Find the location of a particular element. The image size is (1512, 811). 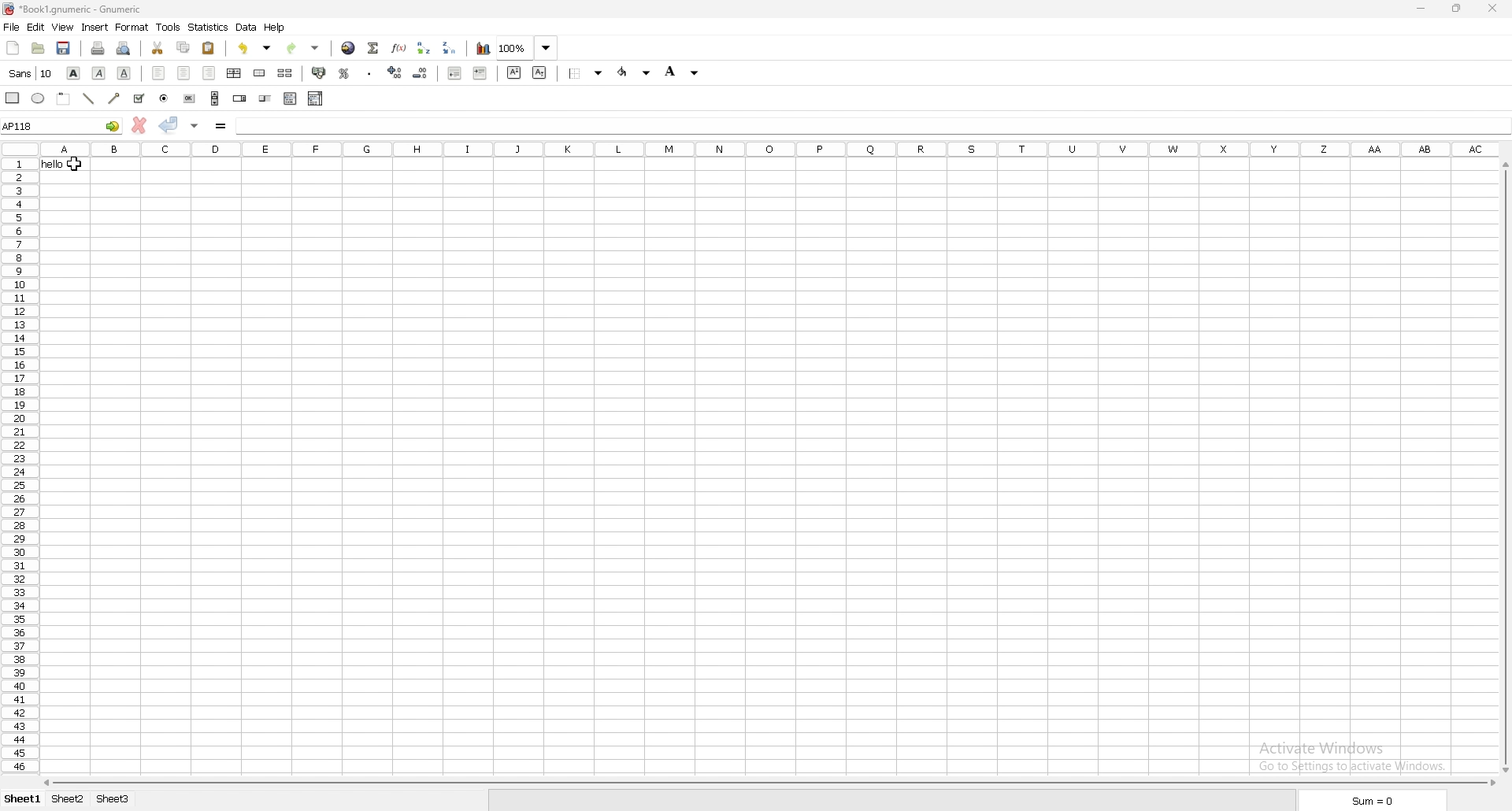

view is located at coordinates (63, 27).